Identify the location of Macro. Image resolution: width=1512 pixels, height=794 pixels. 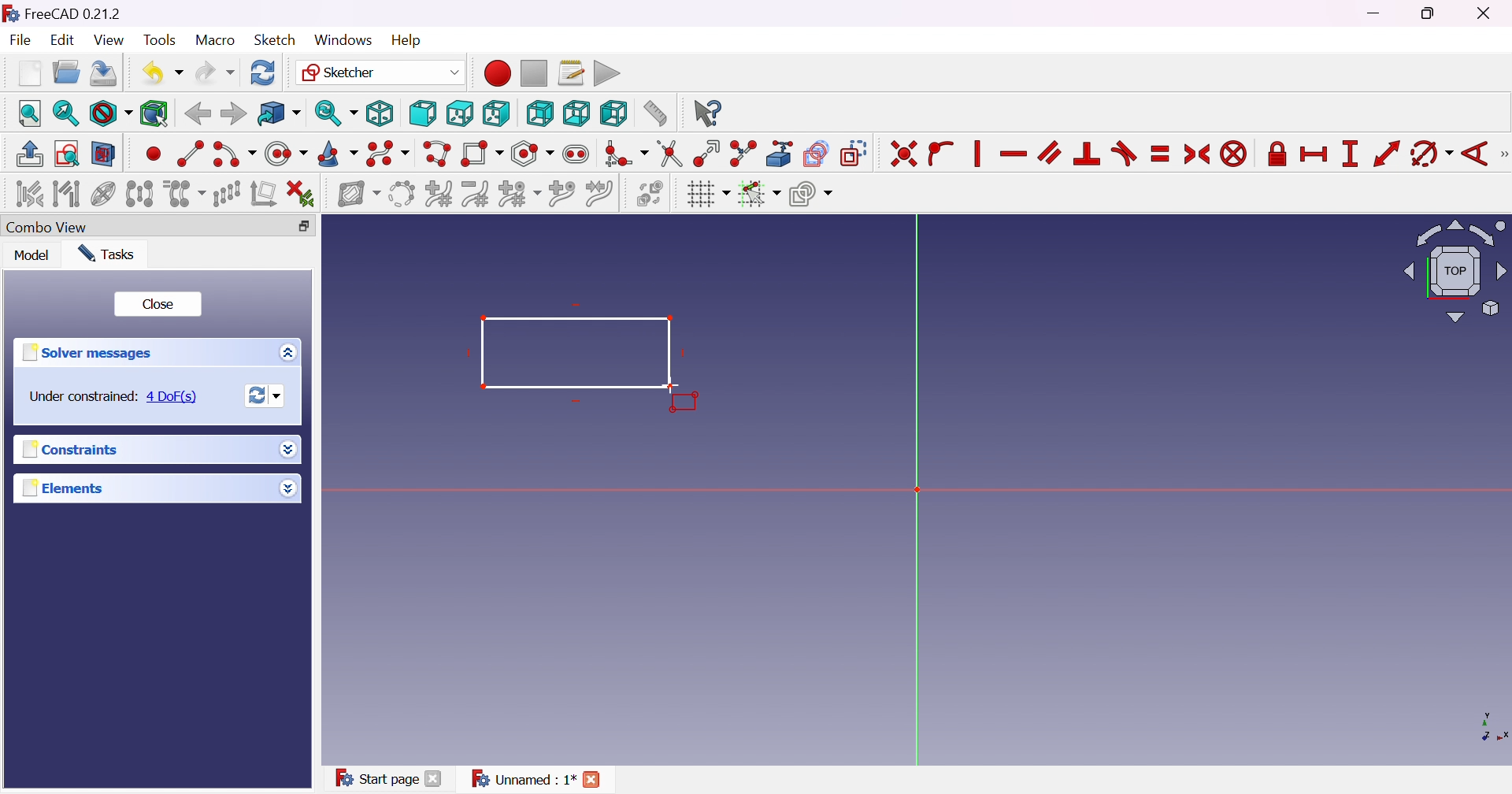
(213, 40).